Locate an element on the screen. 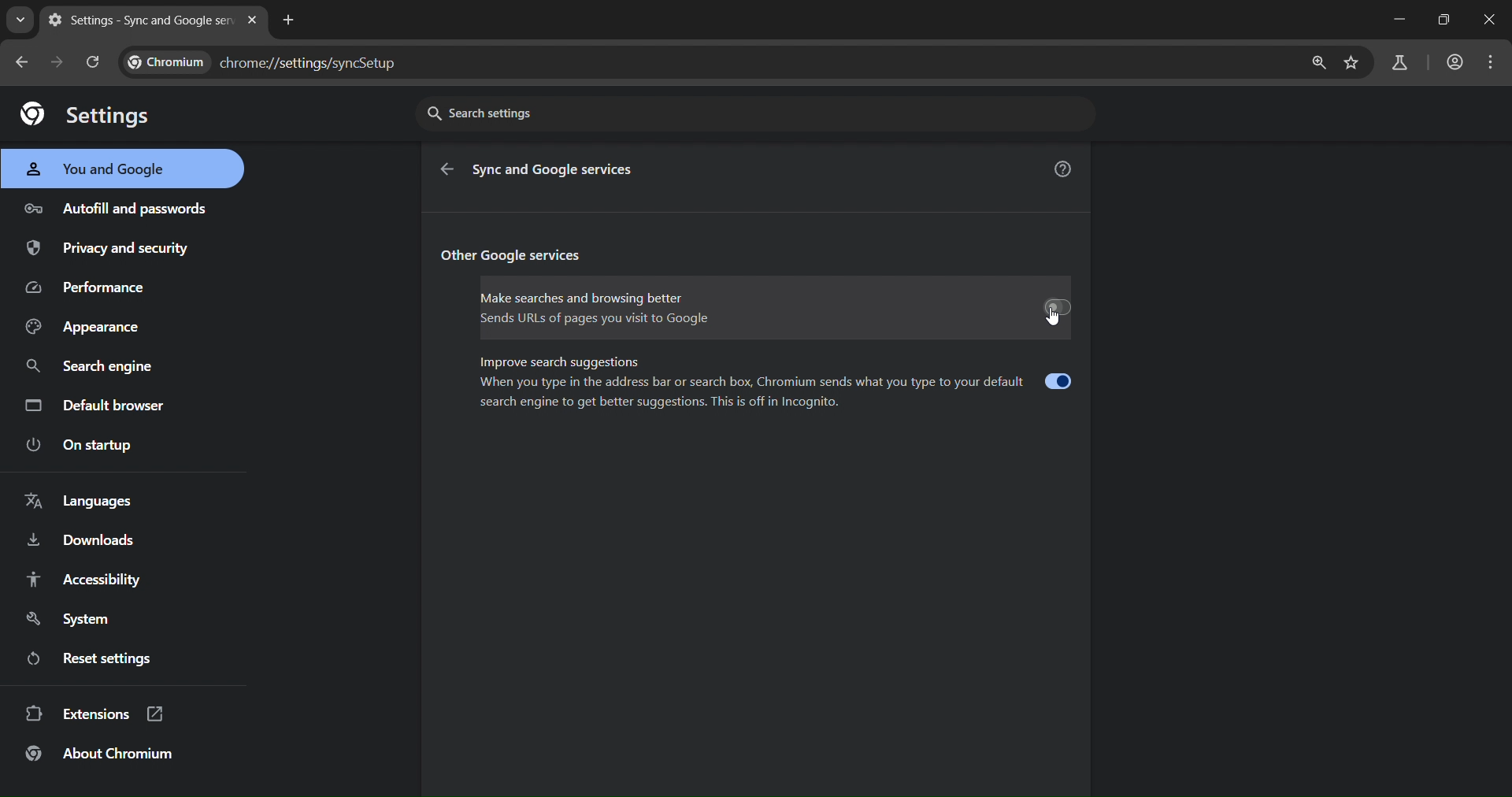  new tab is located at coordinates (292, 20).